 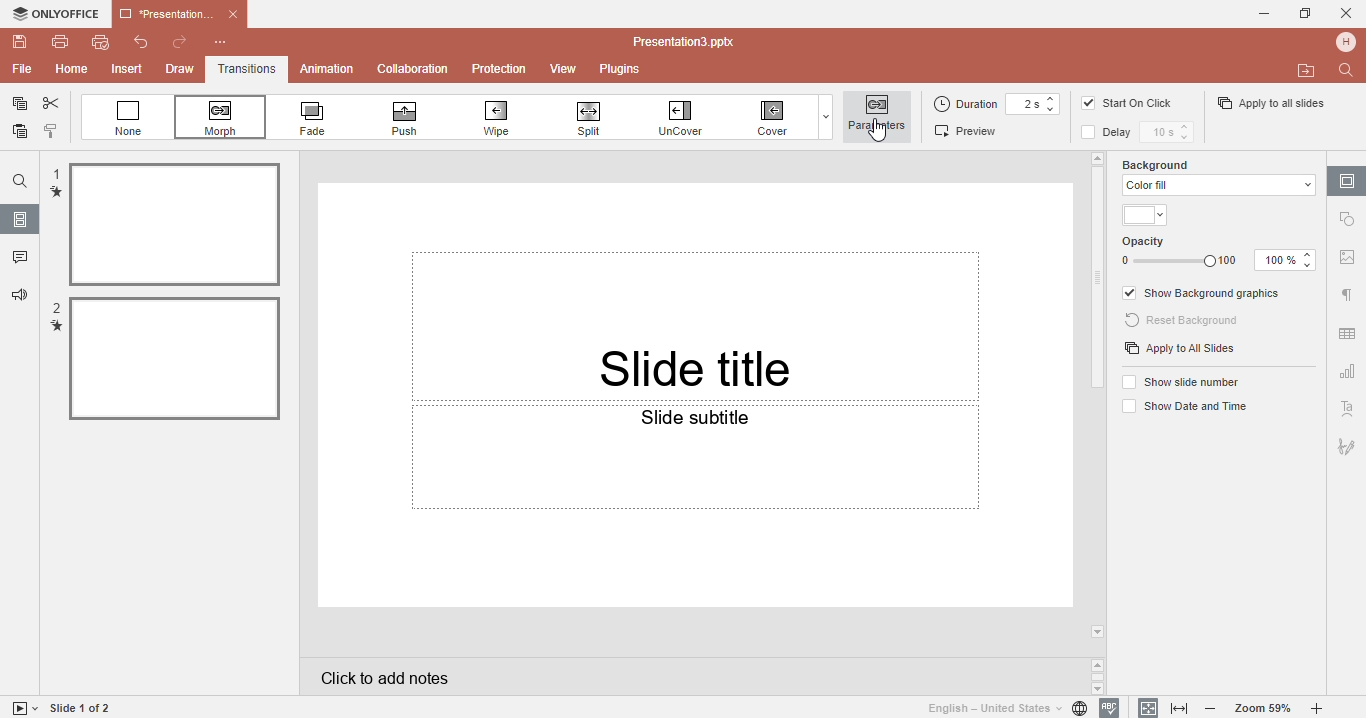 I want to click on Apply to all slides, so click(x=1270, y=103).